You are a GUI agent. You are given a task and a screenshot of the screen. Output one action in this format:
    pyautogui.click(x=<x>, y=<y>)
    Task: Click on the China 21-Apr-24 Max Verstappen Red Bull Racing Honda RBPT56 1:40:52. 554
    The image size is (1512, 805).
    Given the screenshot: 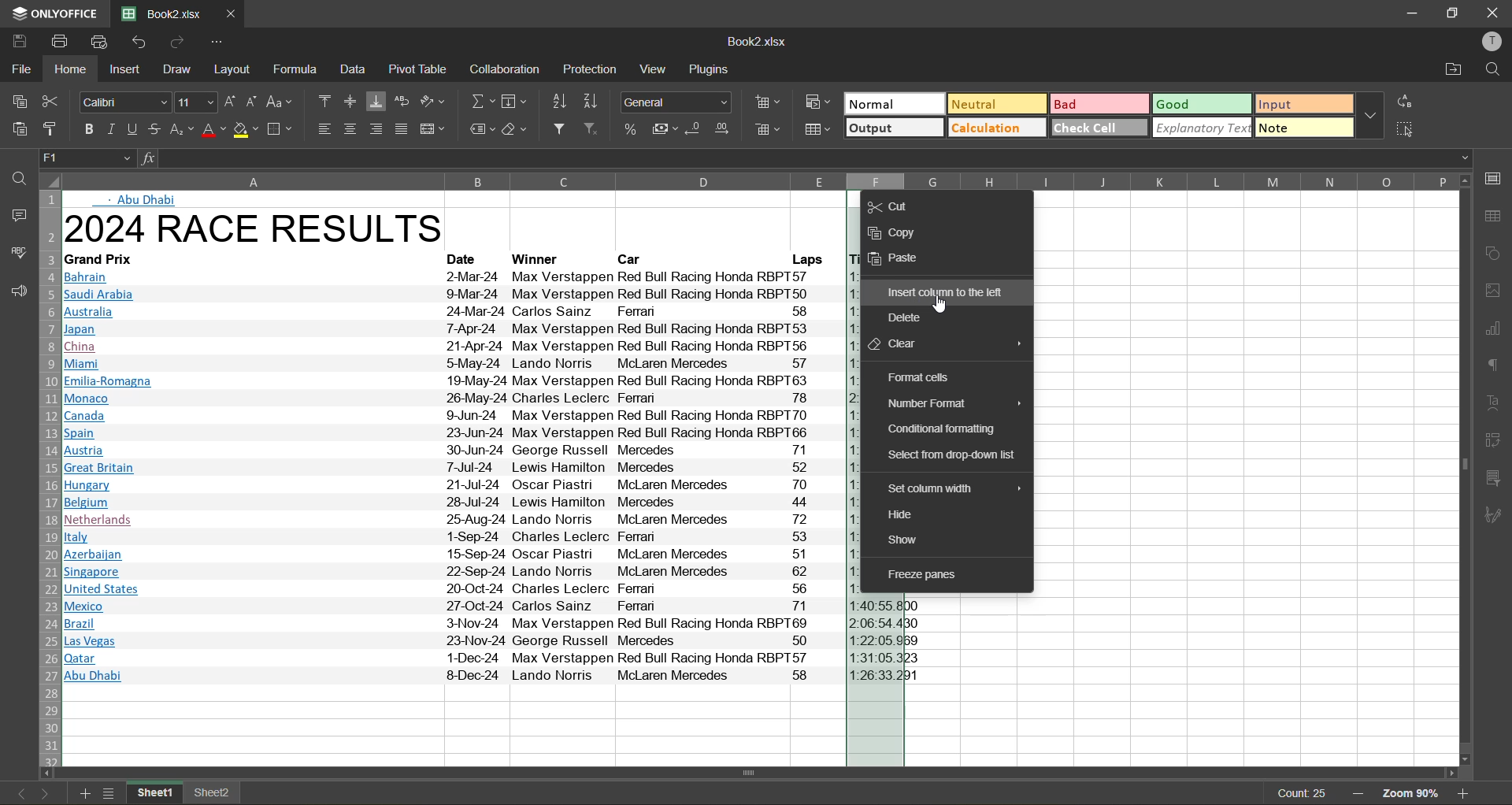 What is the action you would take?
    pyautogui.click(x=455, y=347)
    